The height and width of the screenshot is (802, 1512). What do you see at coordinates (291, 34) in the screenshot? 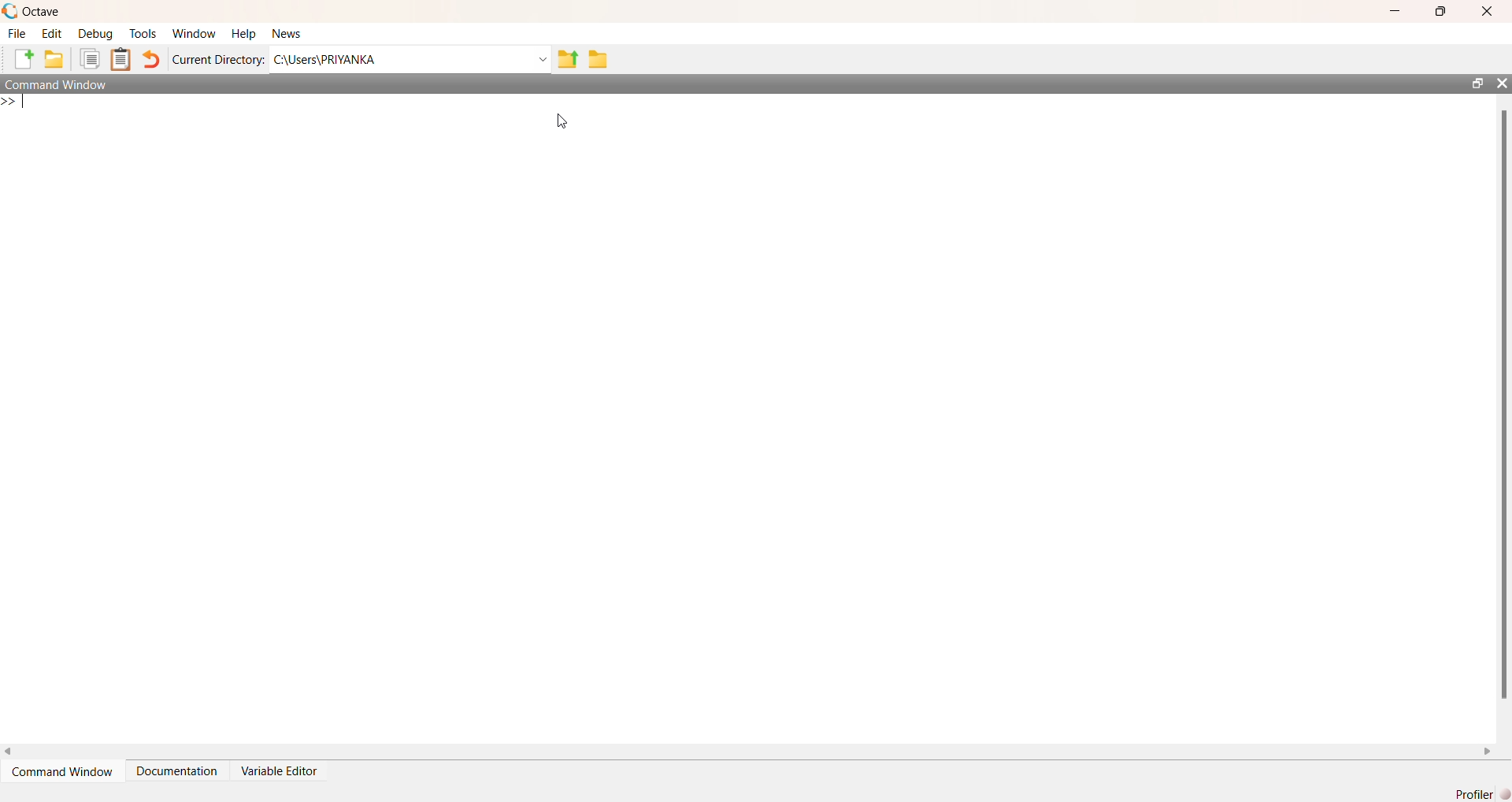
I see `news` at bounding box center [291, 34].